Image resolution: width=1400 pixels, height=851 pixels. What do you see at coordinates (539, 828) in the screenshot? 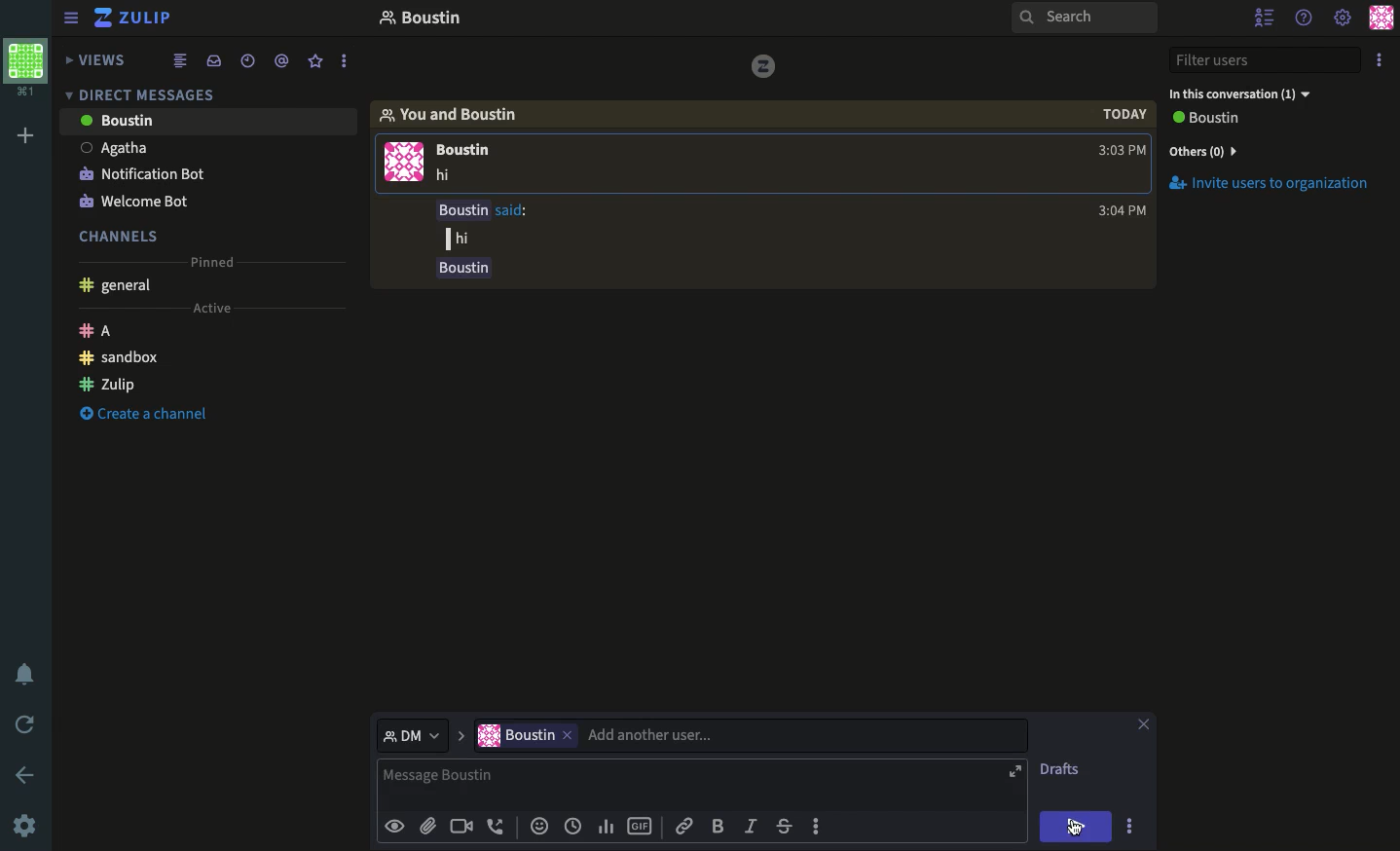
I see `Reaction` at bounding box center [539, 828].